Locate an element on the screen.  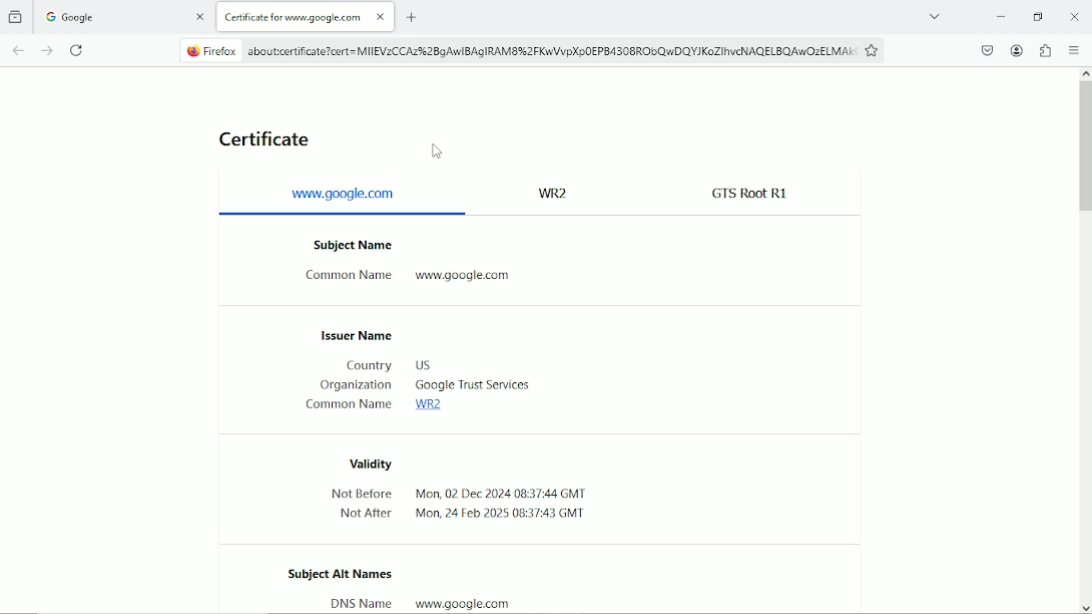
Subject name is located at coordinates (352, 246).